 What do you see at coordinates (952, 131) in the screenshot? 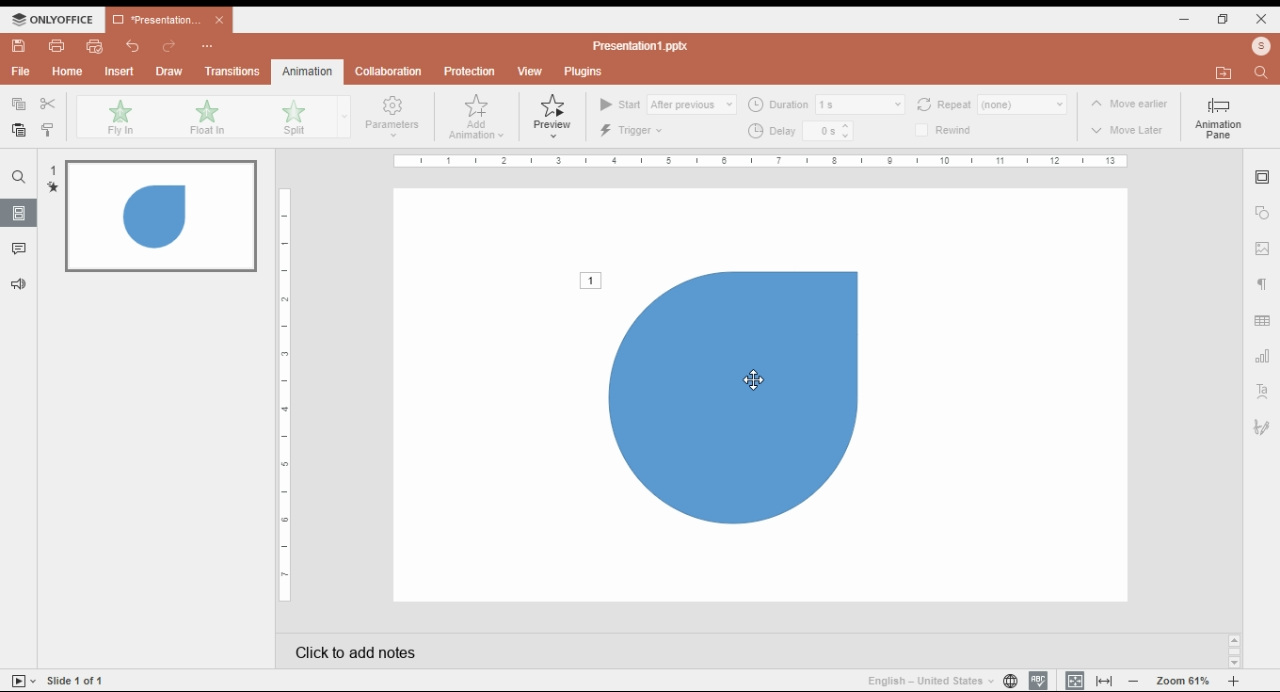
I see `rewind` at bounding box center [952, 131].